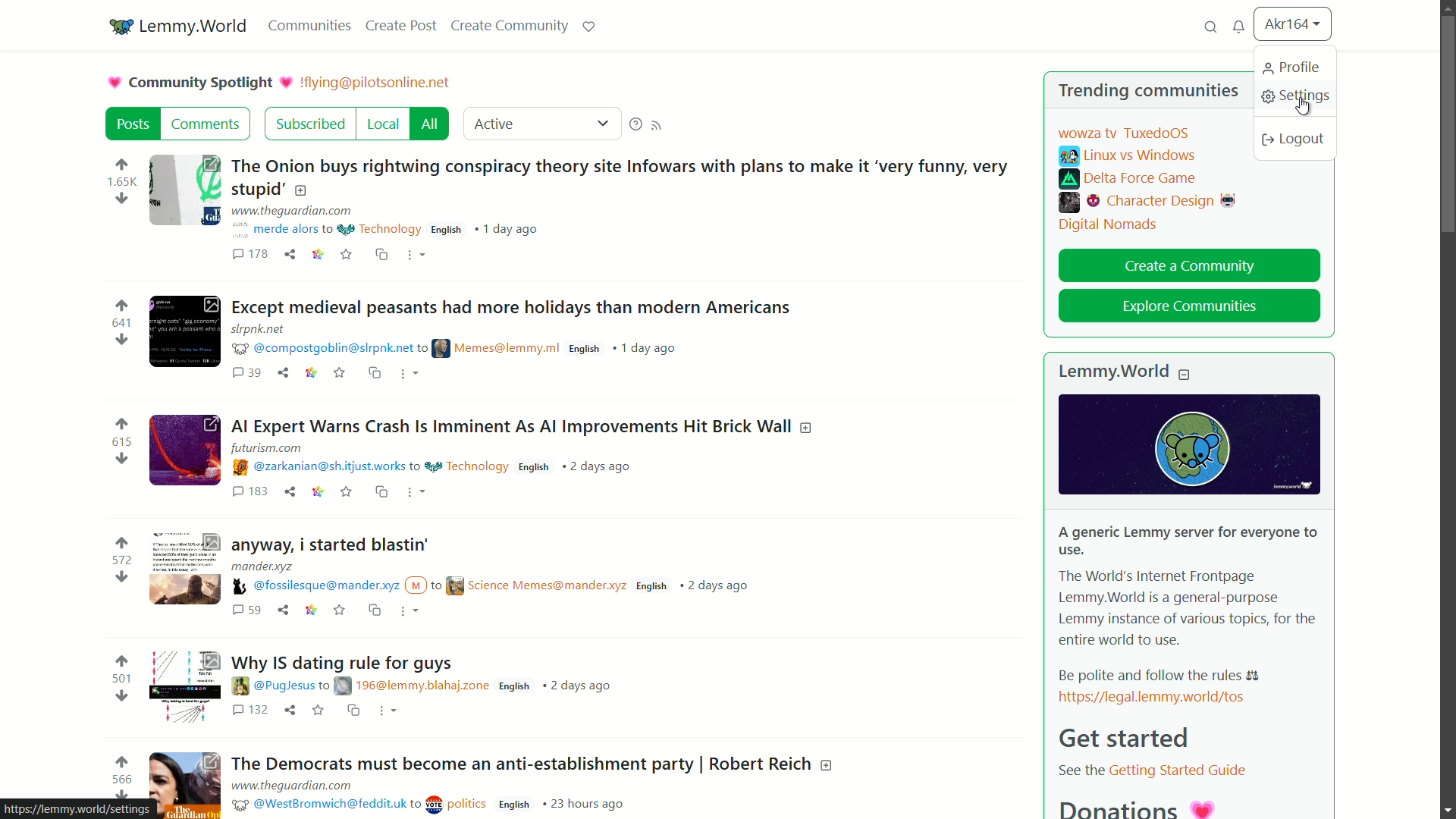 The image size is (1456, 819). What do you see at coordinates (490, 541) in the screenshot?
I see `post-4` at bounding box center [490, 541].